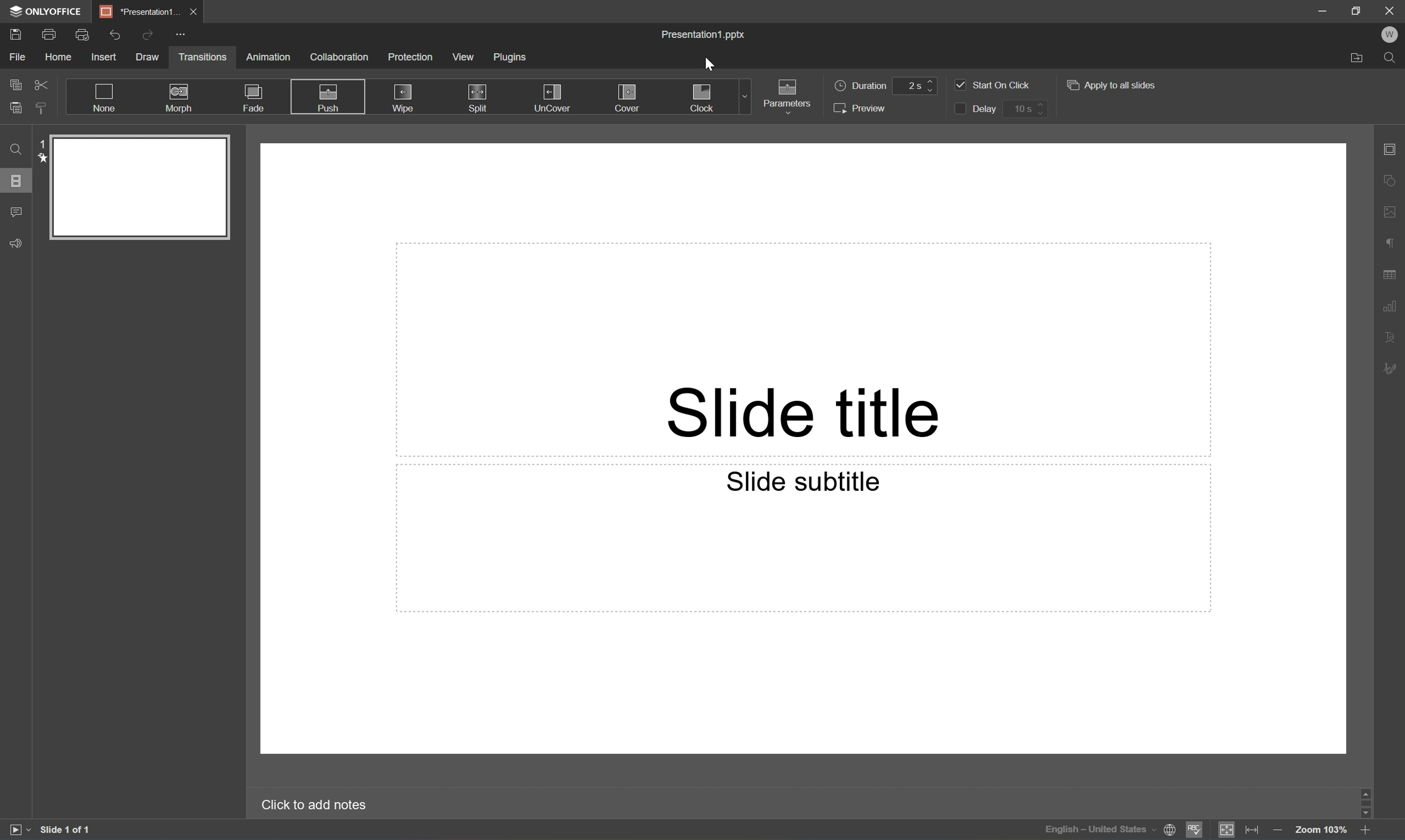 This screenshot has width=1405, height=840. What do you see at coordinates (251, 97) in the screenshot?
I see `Fade` at bounding box center [251, 97].